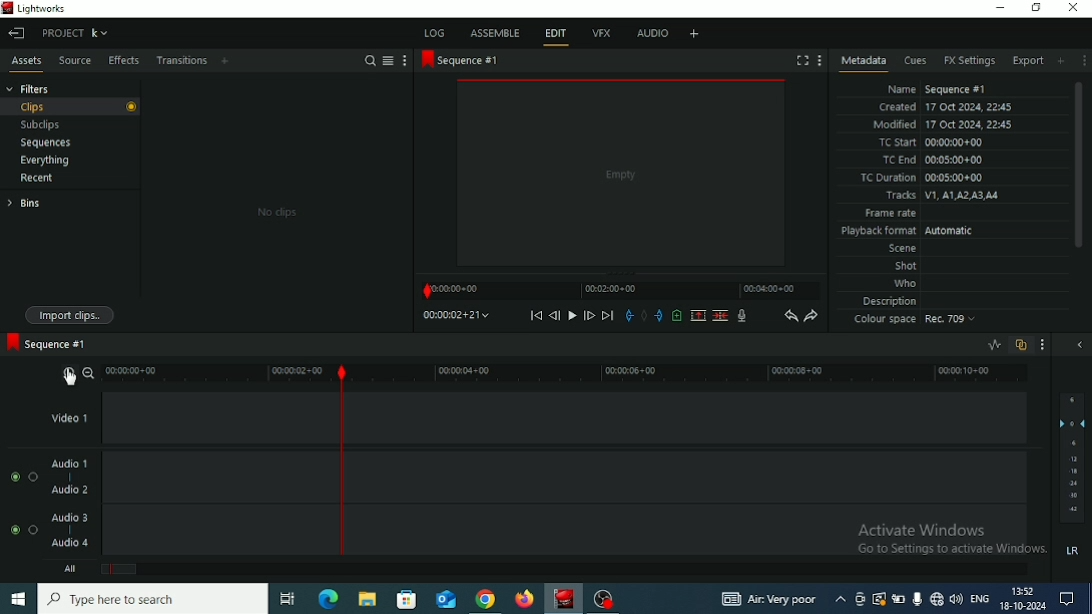 This screenshot has height=614, width=1092. What do you see at coordinates (930, 142) in the screenshot?
I see `TC Start` at bounding box center [930, 142].